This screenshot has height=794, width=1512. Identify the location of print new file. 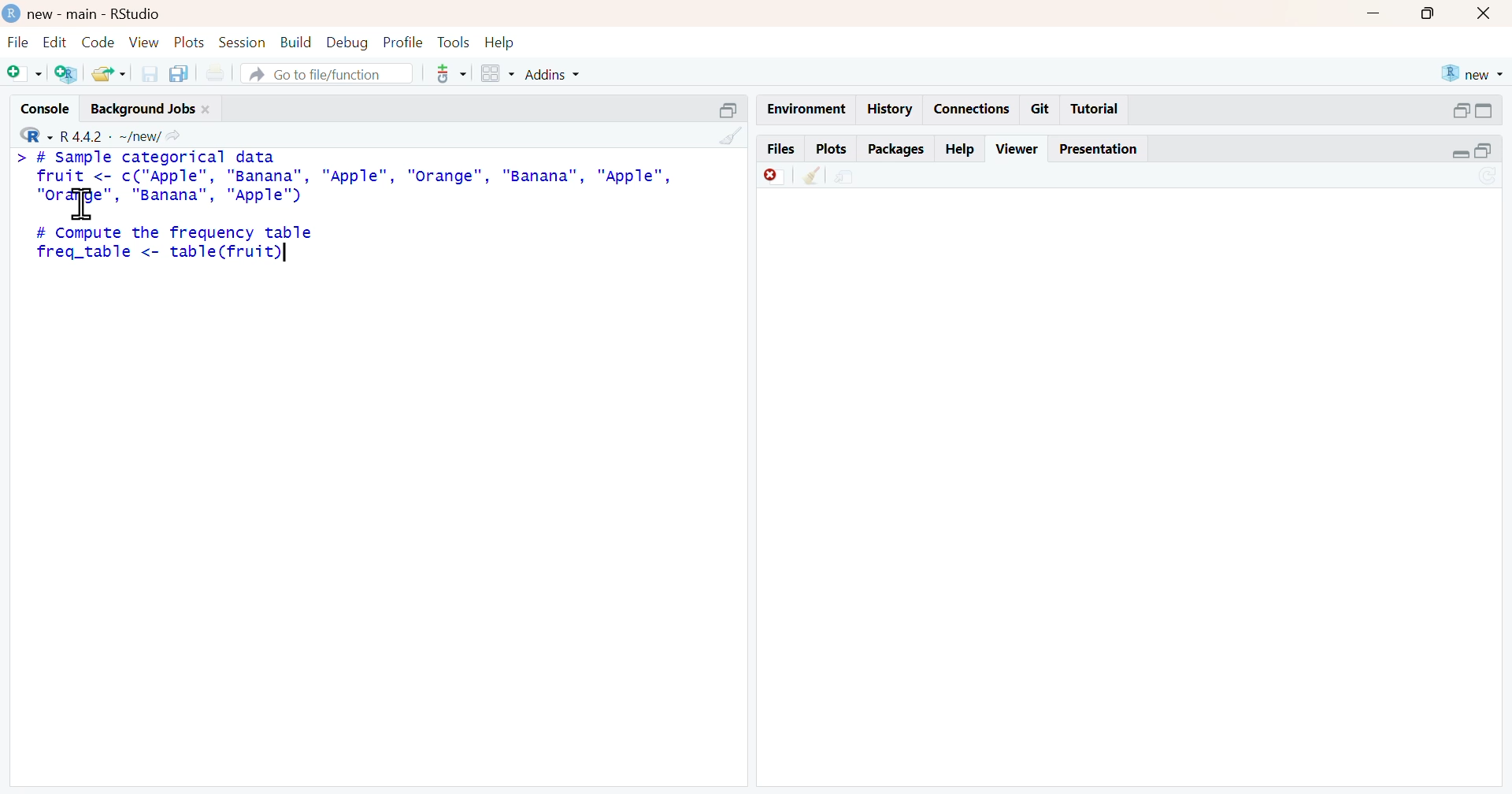
(217, 75).